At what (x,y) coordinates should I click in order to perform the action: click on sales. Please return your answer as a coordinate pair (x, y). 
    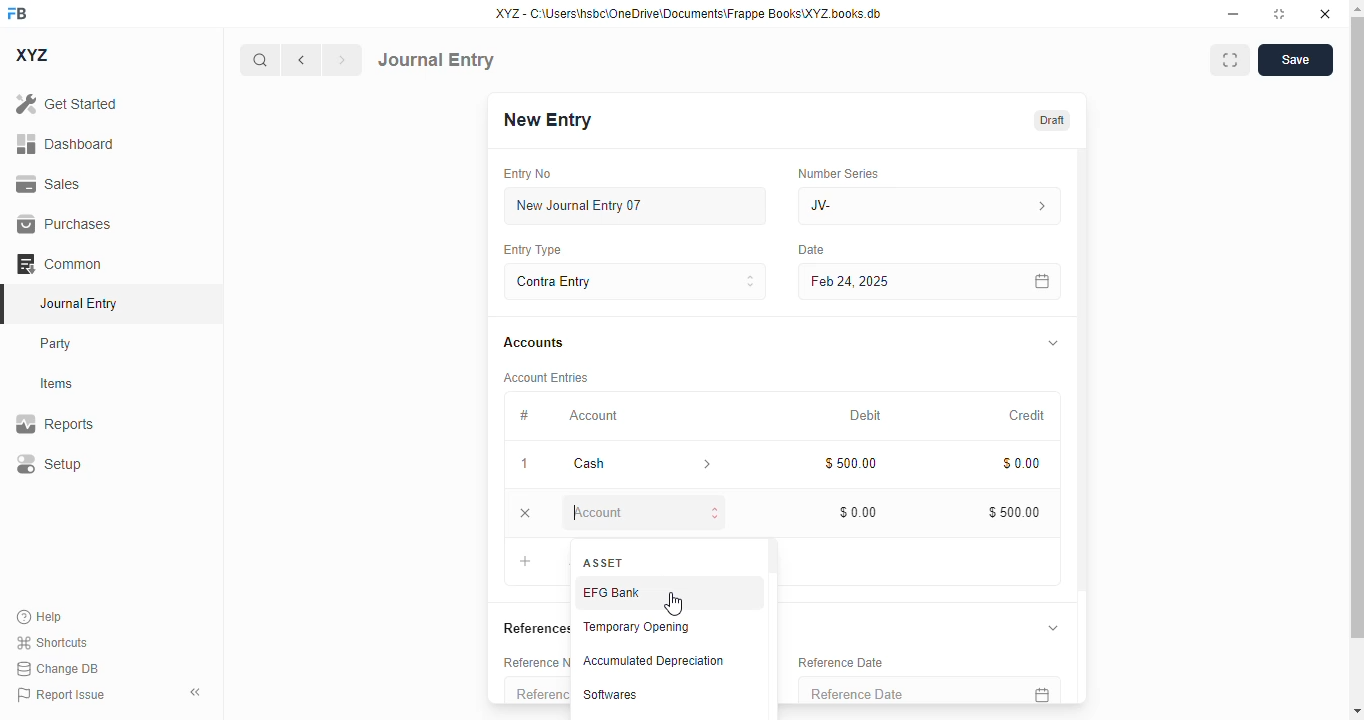
    Looking at the image, I should click on (48, 184).